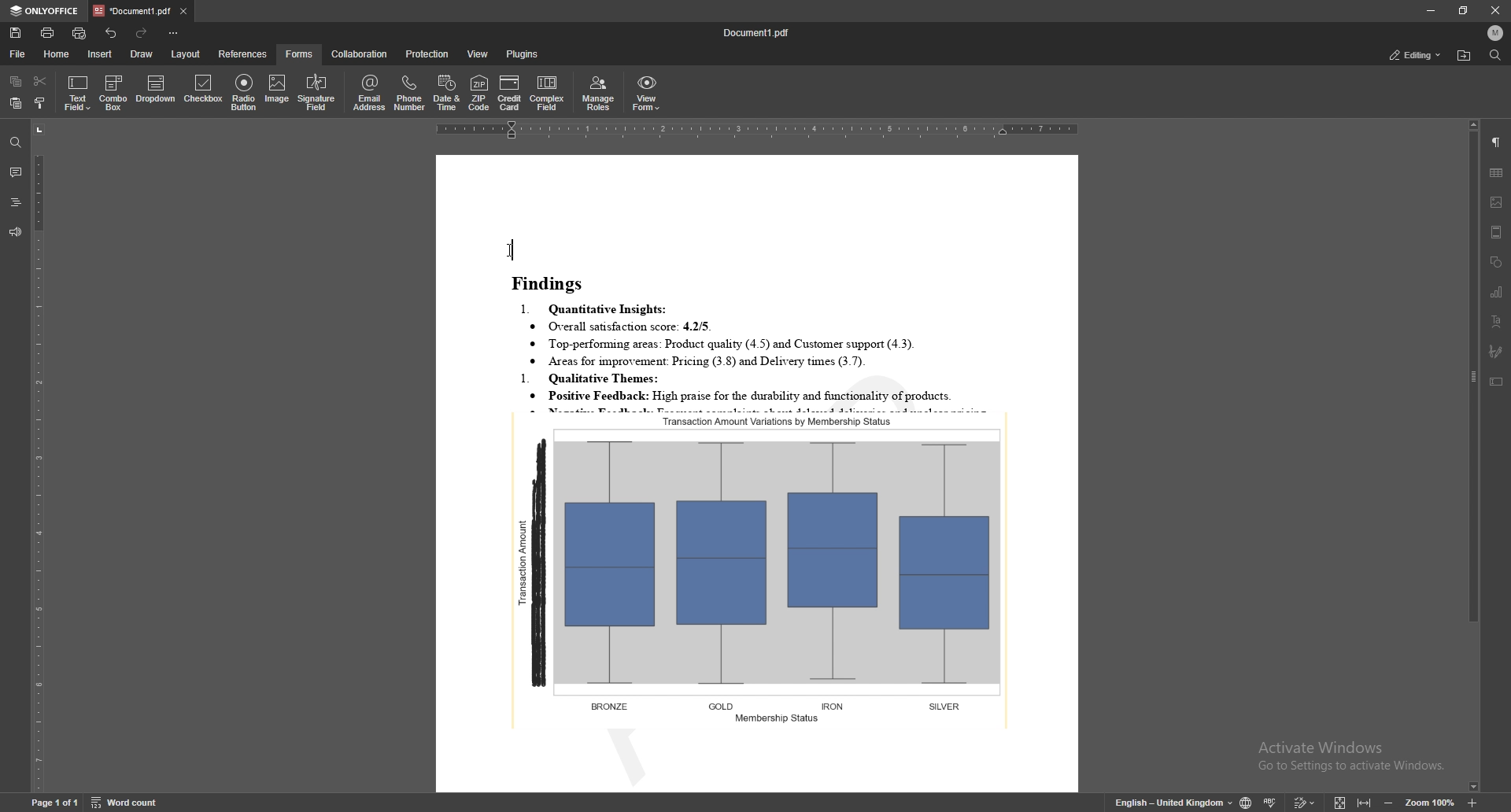 The image size is (1511, 812). I want to click on paragraph, so click(1496, 142).